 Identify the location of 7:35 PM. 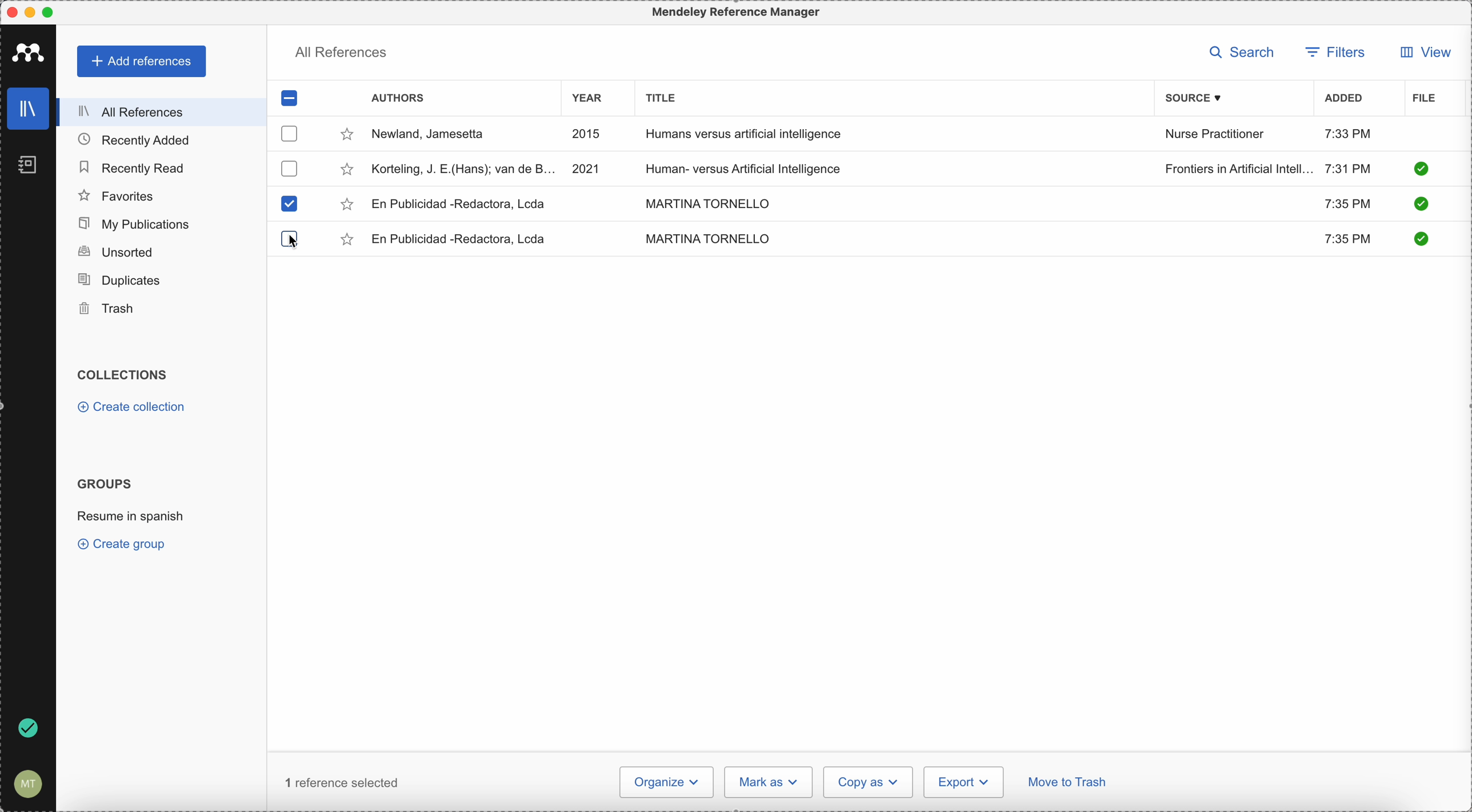
(1346, 202).